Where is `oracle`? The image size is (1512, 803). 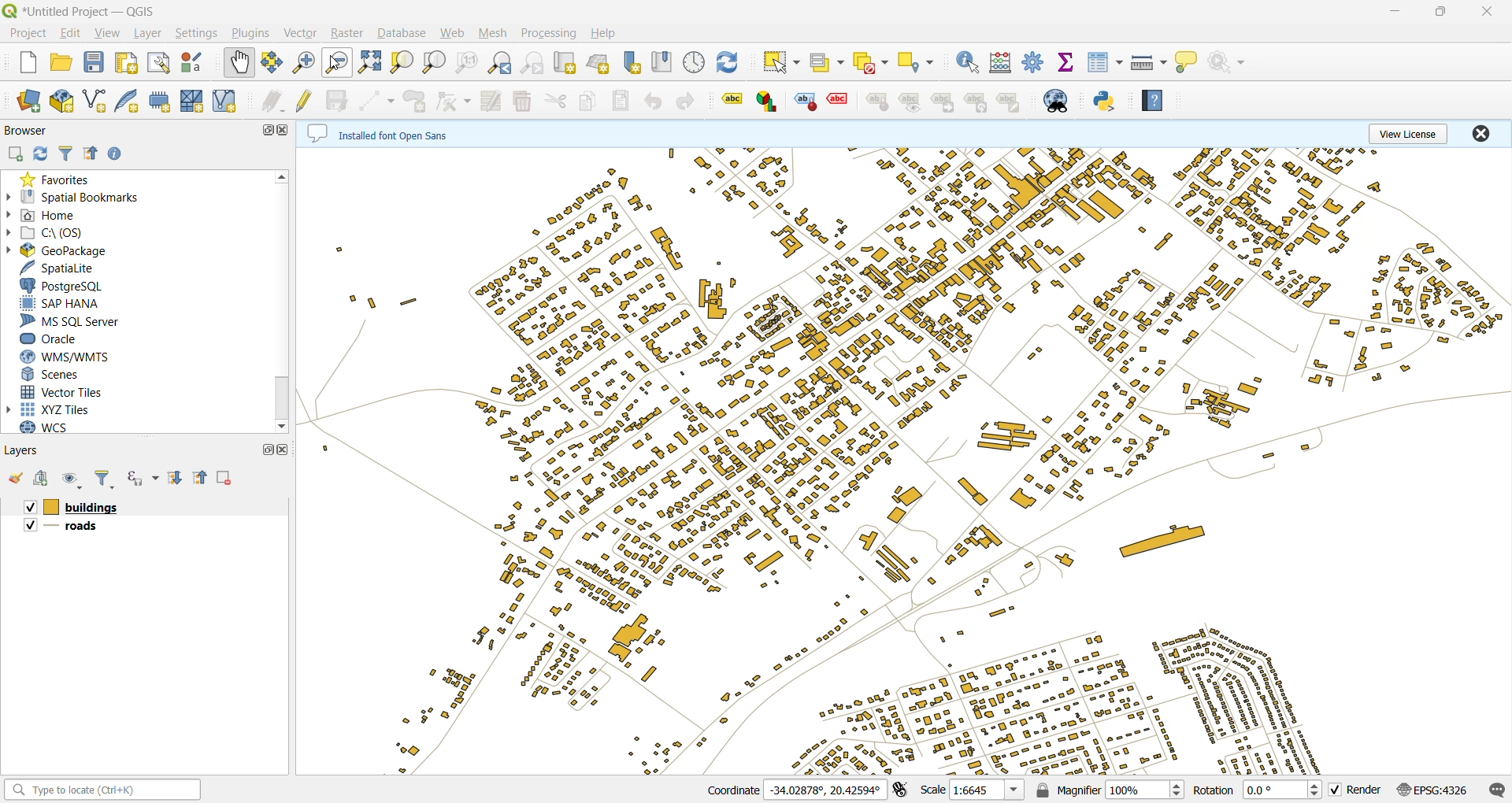
oracle is located at coordinates (54, 339).